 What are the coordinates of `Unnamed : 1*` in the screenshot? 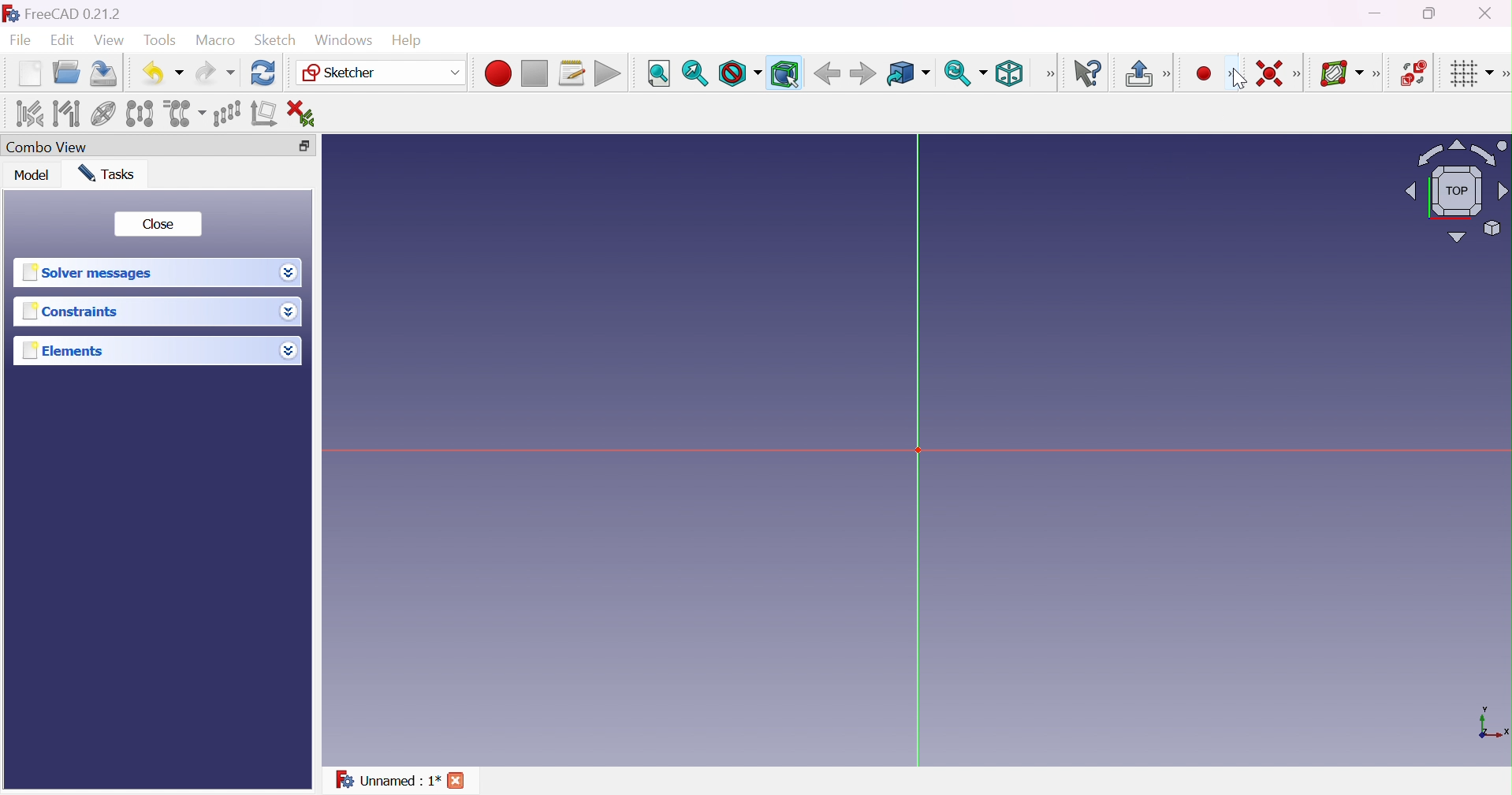 It's located at (388, 782).